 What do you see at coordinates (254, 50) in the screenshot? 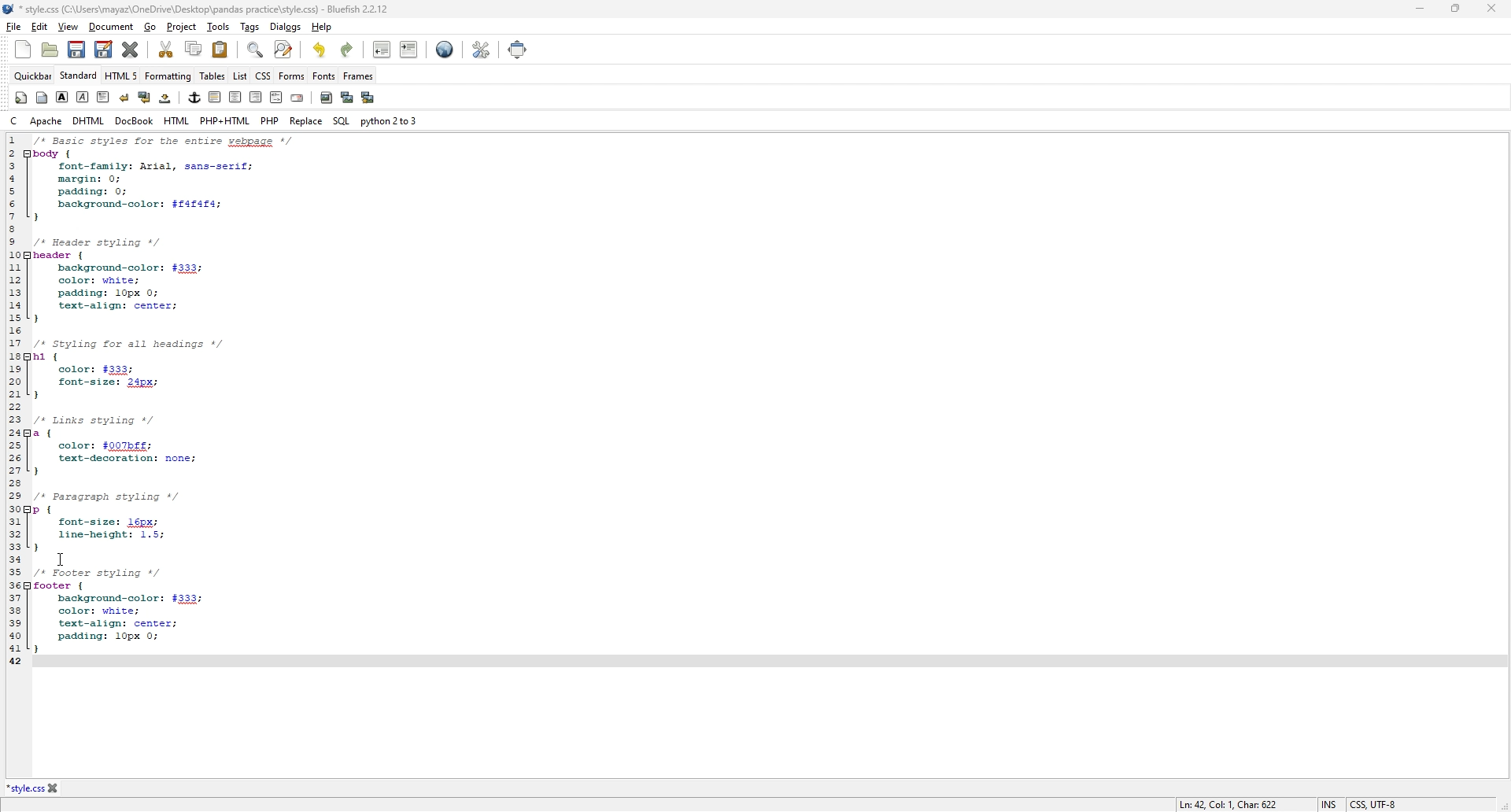
I see `find bar` at bounding box center [254, 50].